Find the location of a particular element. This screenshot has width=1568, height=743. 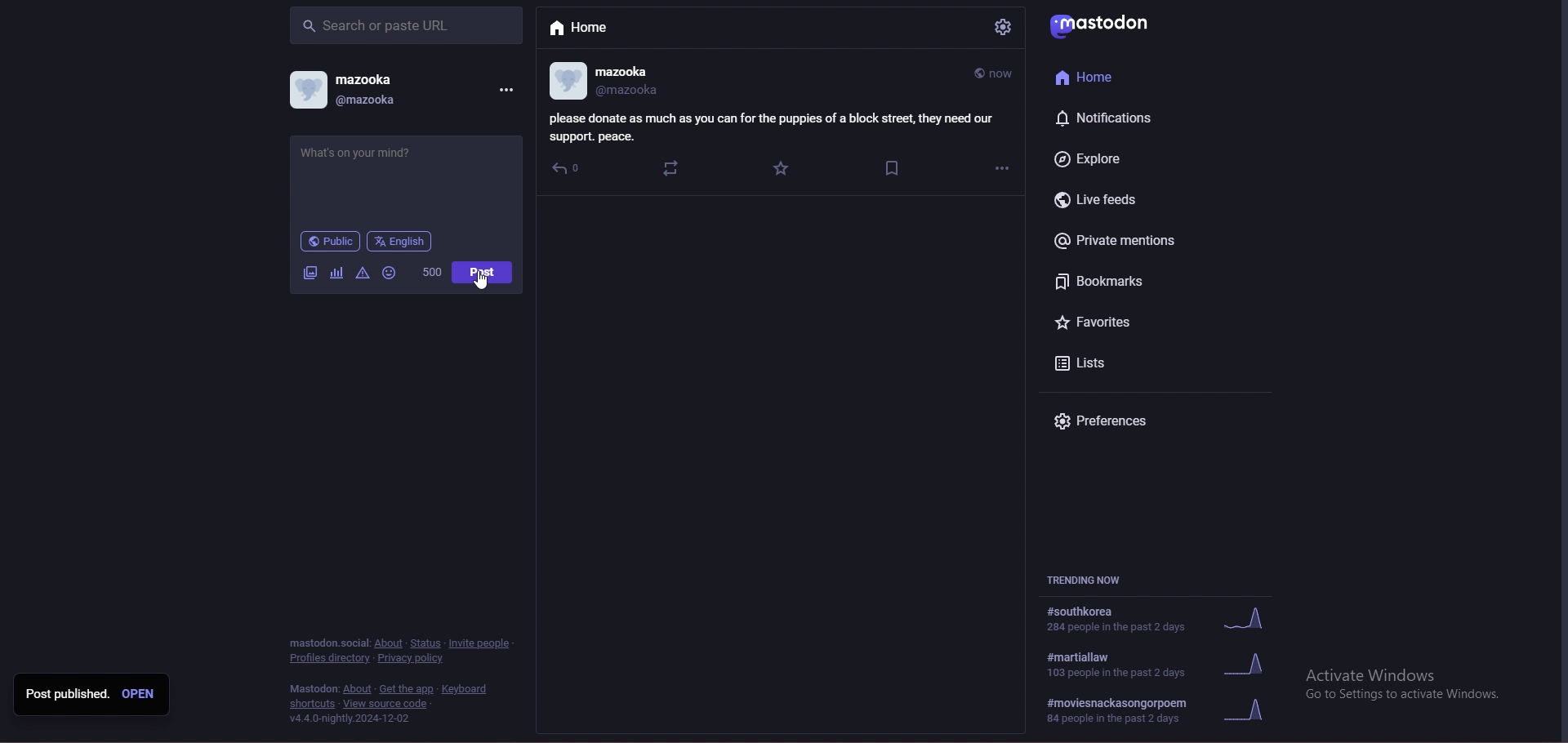

status is located at coordinates (425, 643).